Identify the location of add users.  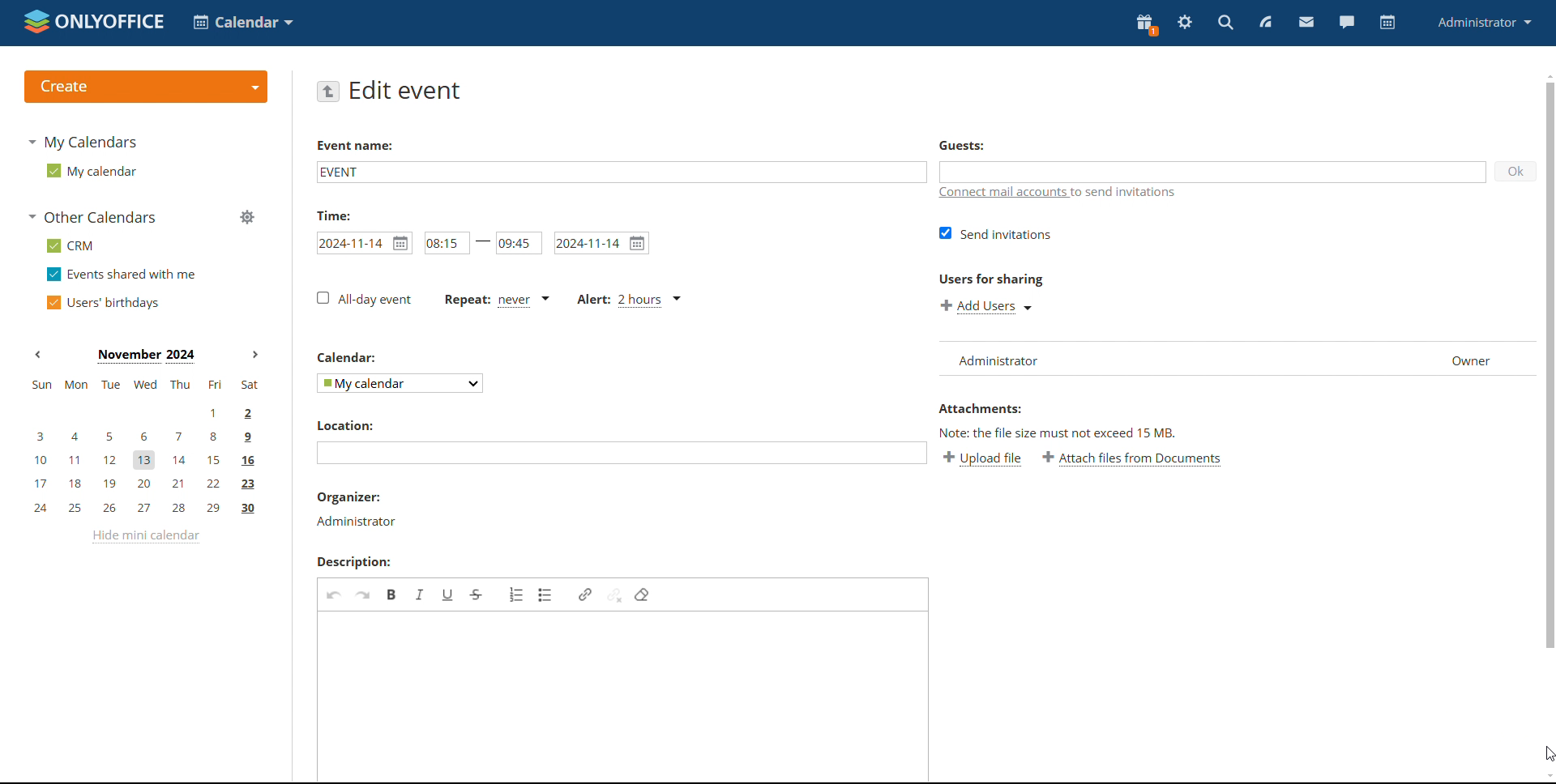
(986, 308).